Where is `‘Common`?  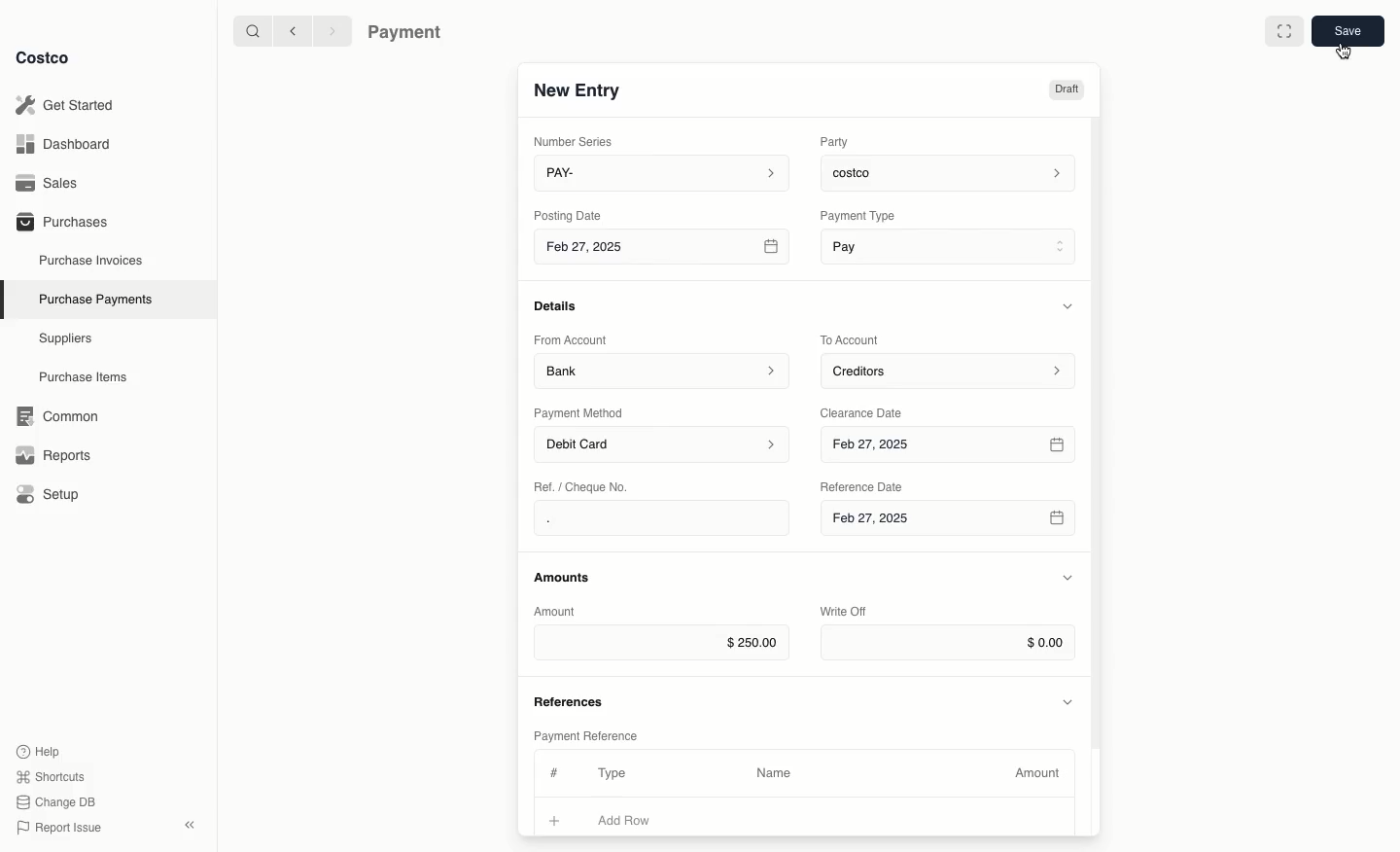 ‘Common is located at coordinates (61, 413).